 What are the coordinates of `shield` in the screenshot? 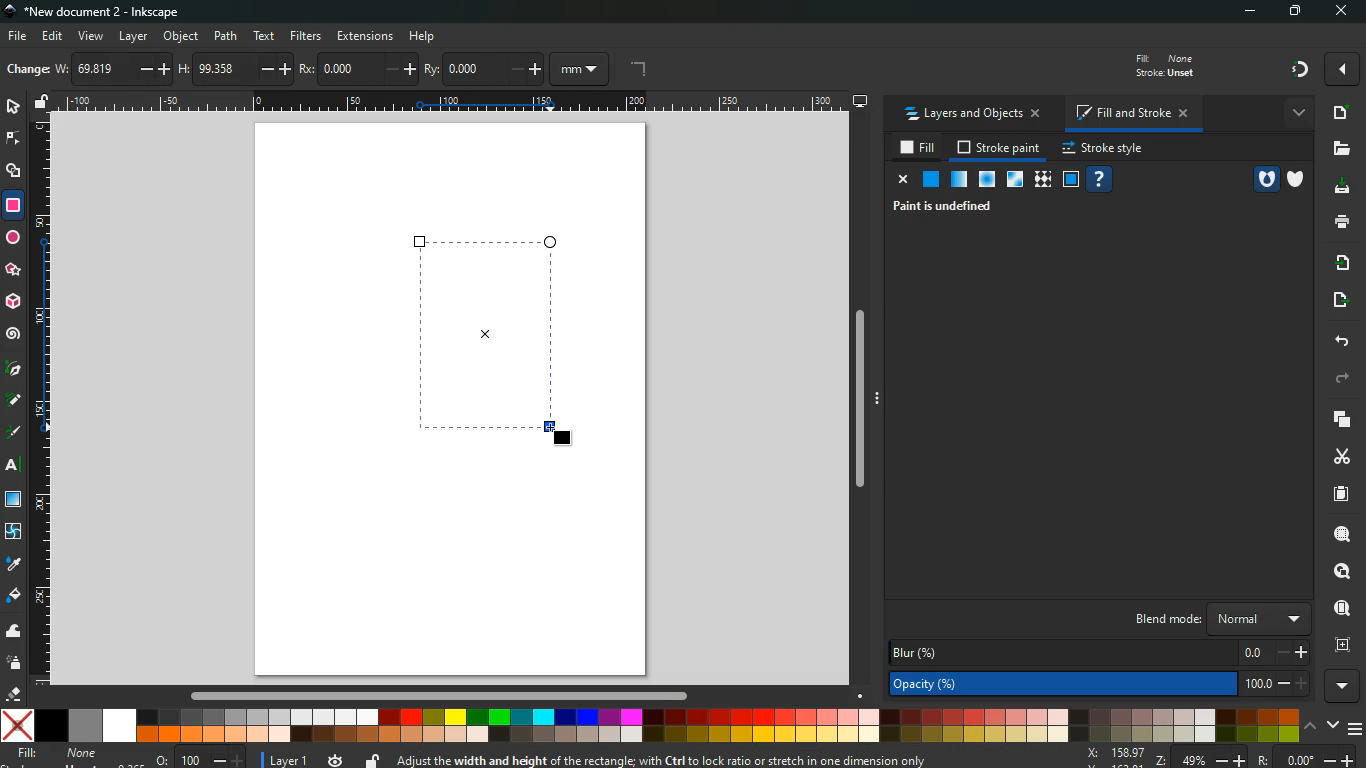 It's located at (1296, 179).